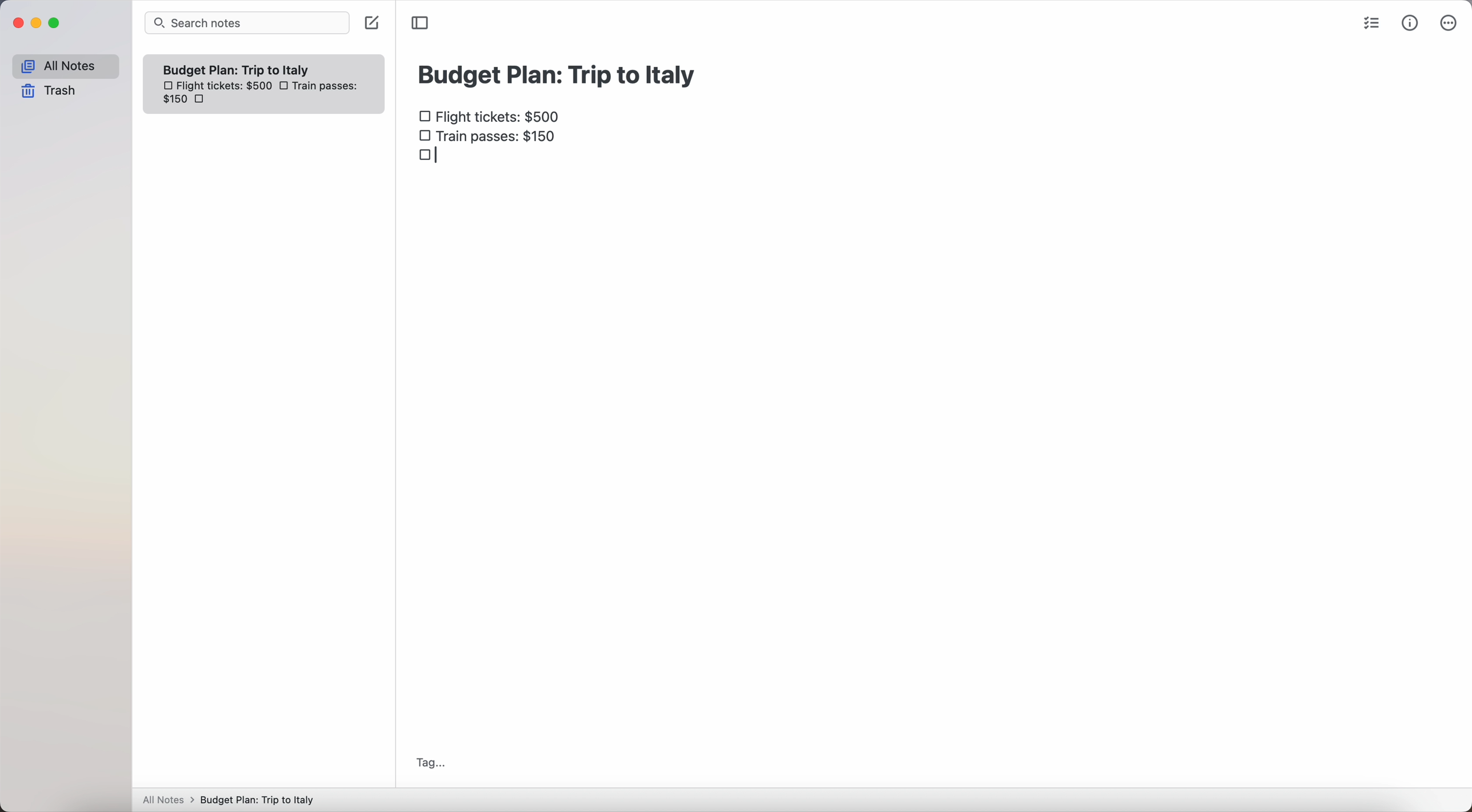  What do you see at coordinates (421, 22) in the screenshot?
I see `toggle sidebar` at bounding box center [421, 22].